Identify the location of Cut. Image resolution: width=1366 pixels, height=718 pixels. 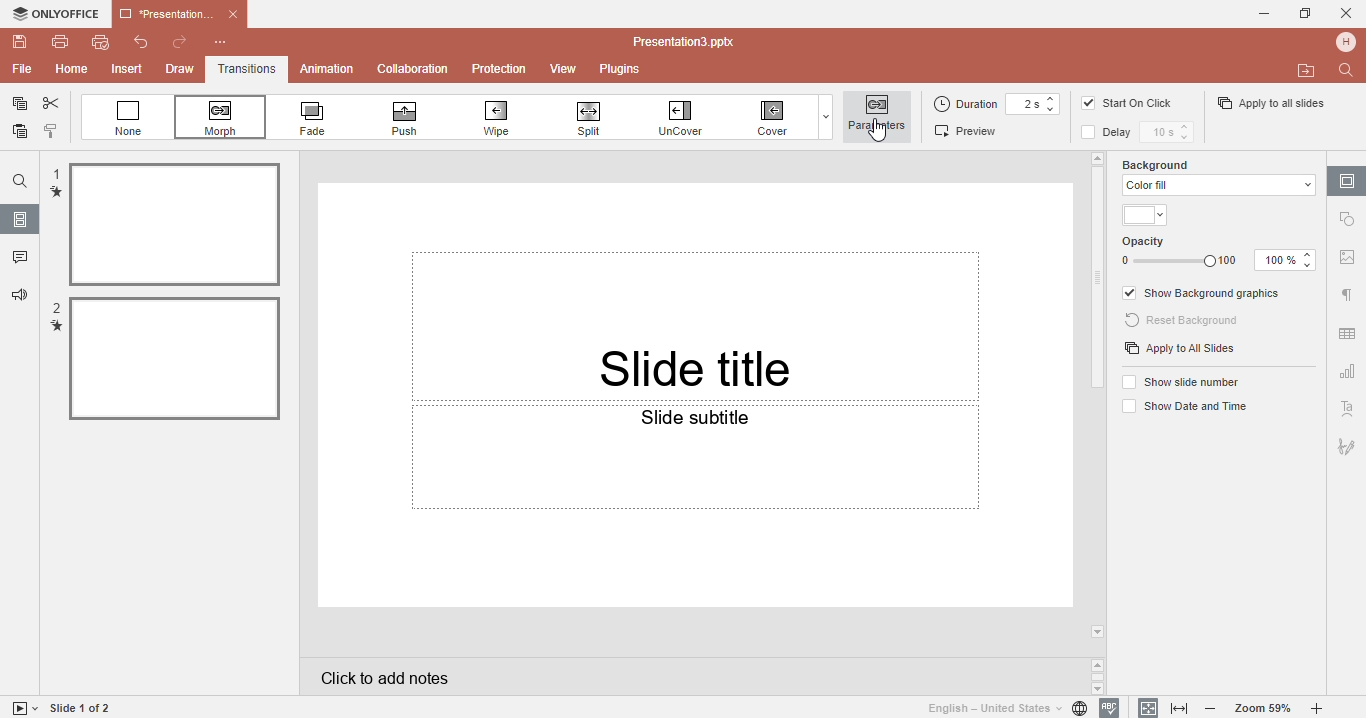
(52, 104).